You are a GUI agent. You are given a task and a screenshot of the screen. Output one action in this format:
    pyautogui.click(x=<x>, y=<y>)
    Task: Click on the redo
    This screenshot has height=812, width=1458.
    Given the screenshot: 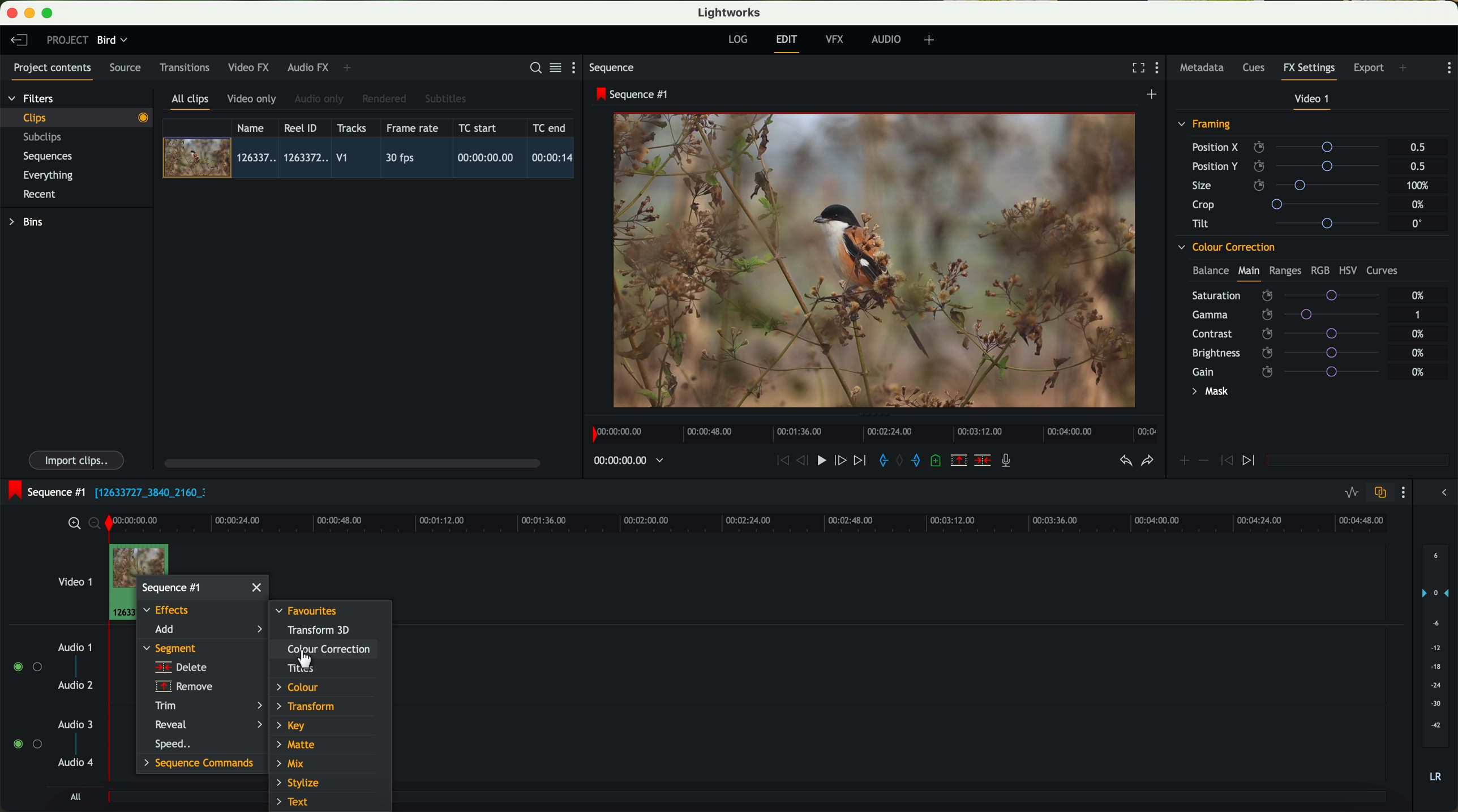 What is the action you would take?
    pyautogui.click(x=1147, y=462)
    